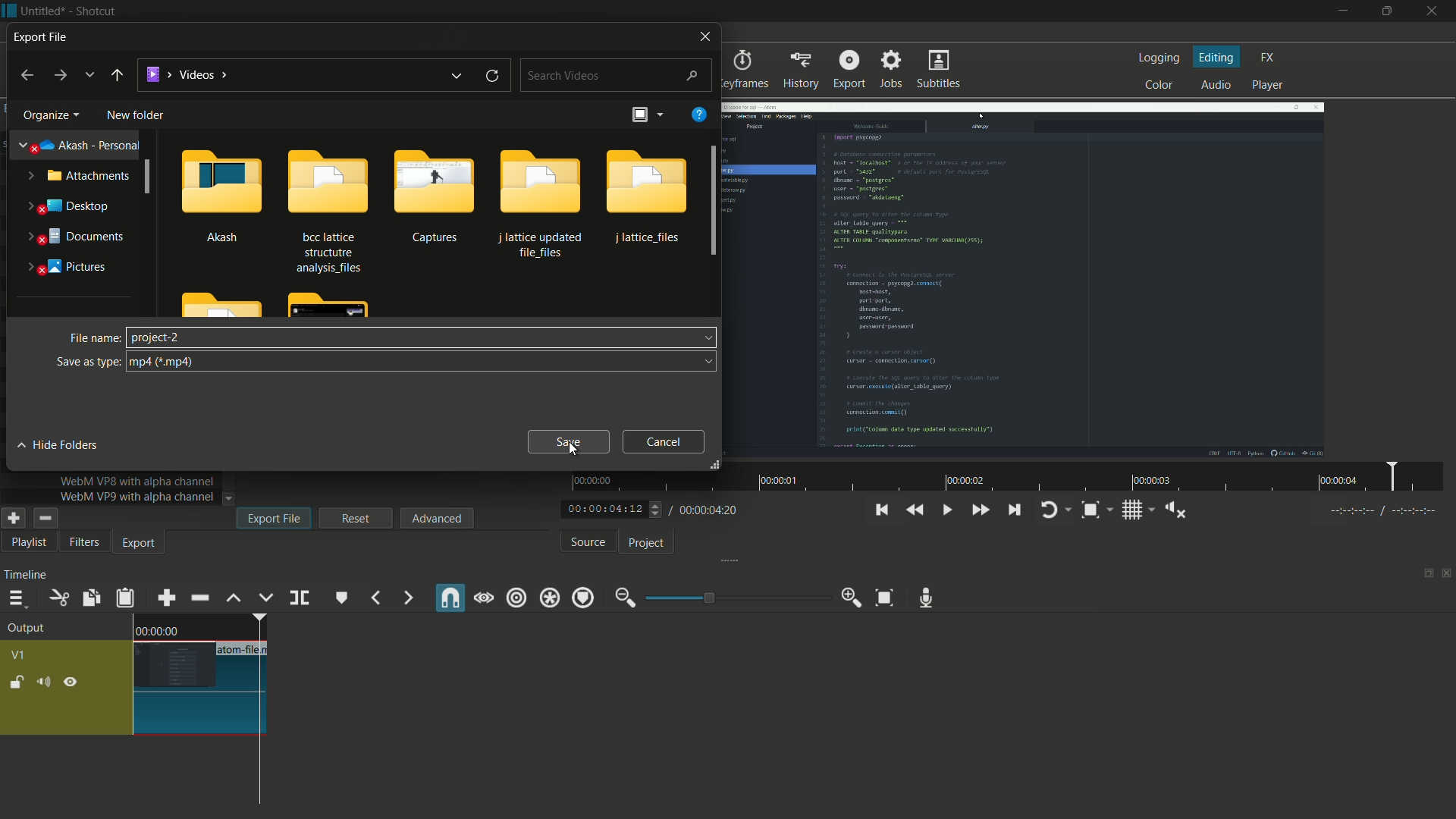 This screenshot has width=1456, height=819. I want to click on jobs, so click(893, 70).